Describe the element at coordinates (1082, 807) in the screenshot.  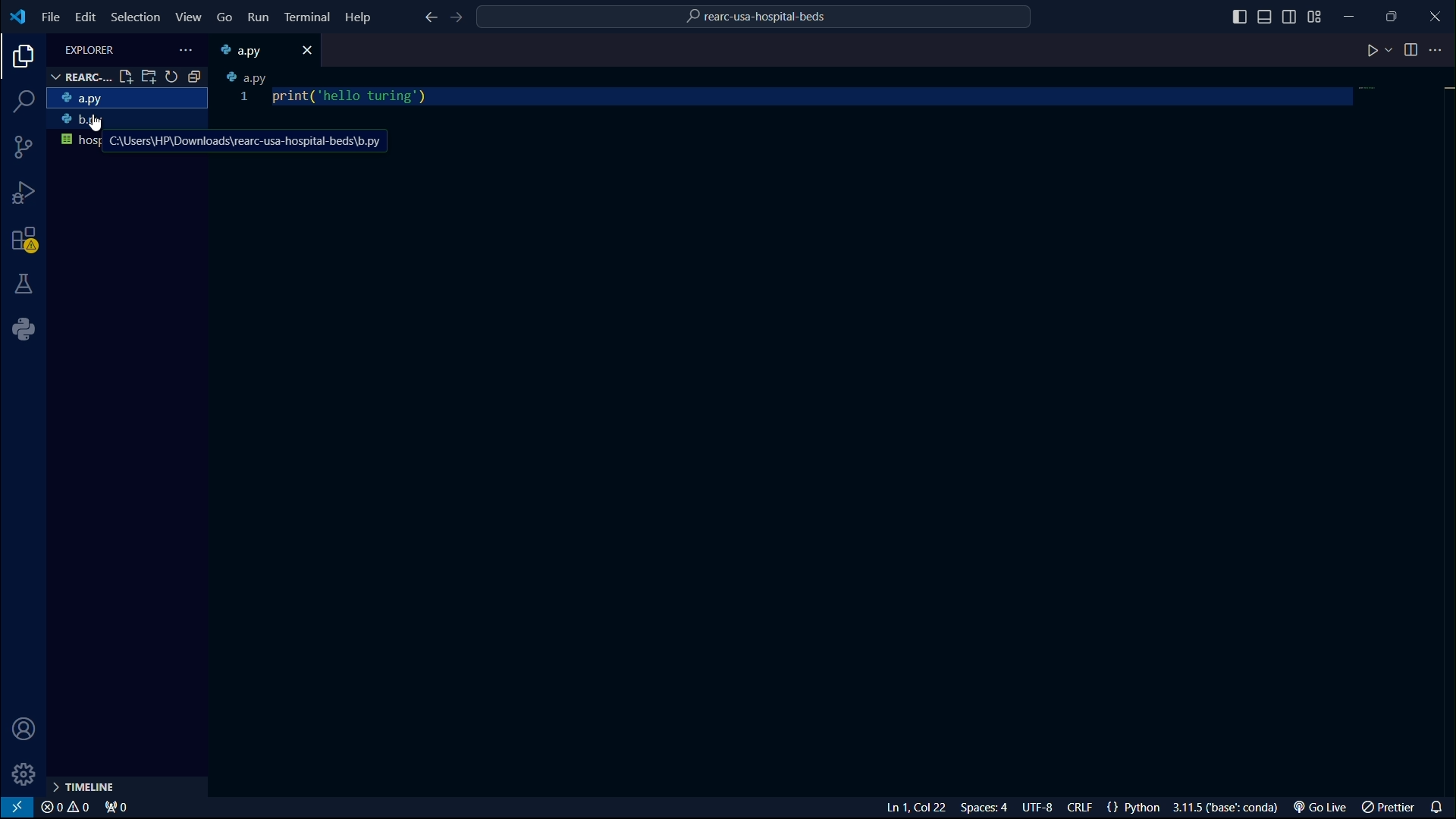
I see `CRLF` at that location.